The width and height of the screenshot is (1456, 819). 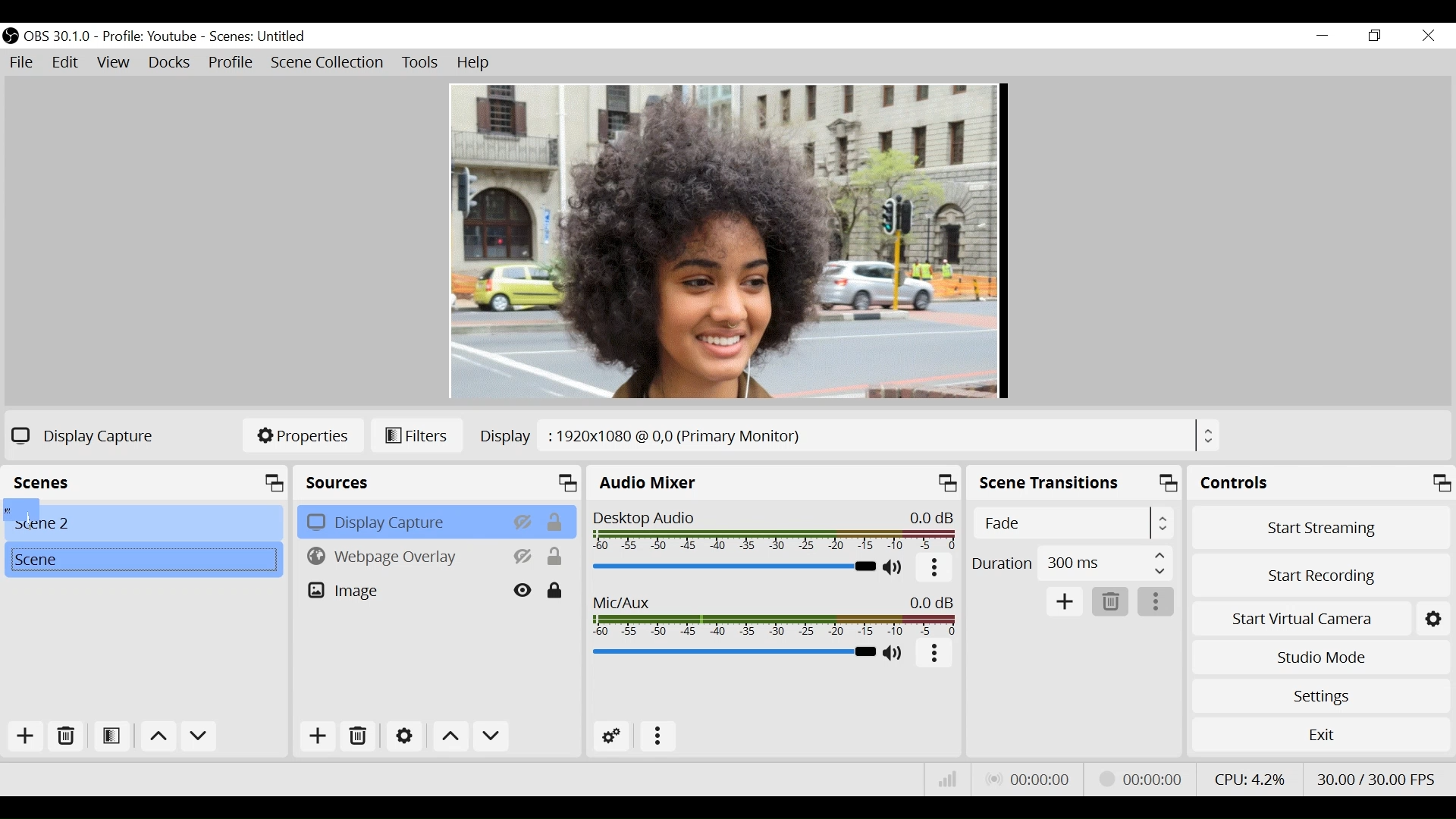 I want to click on Live Status, so click(x=1031, y=777).